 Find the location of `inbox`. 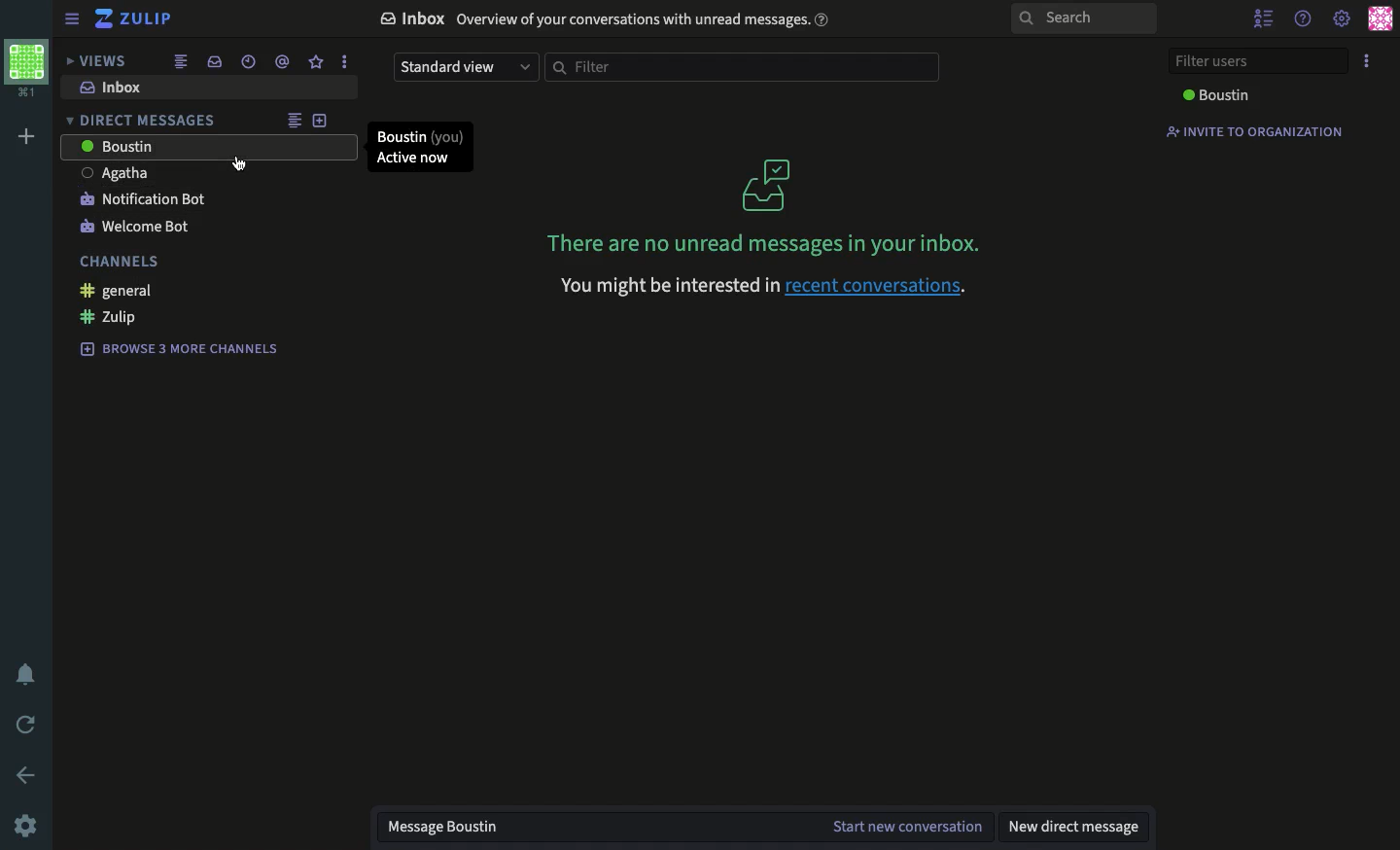

inbox is located at coordinates (111, 85).